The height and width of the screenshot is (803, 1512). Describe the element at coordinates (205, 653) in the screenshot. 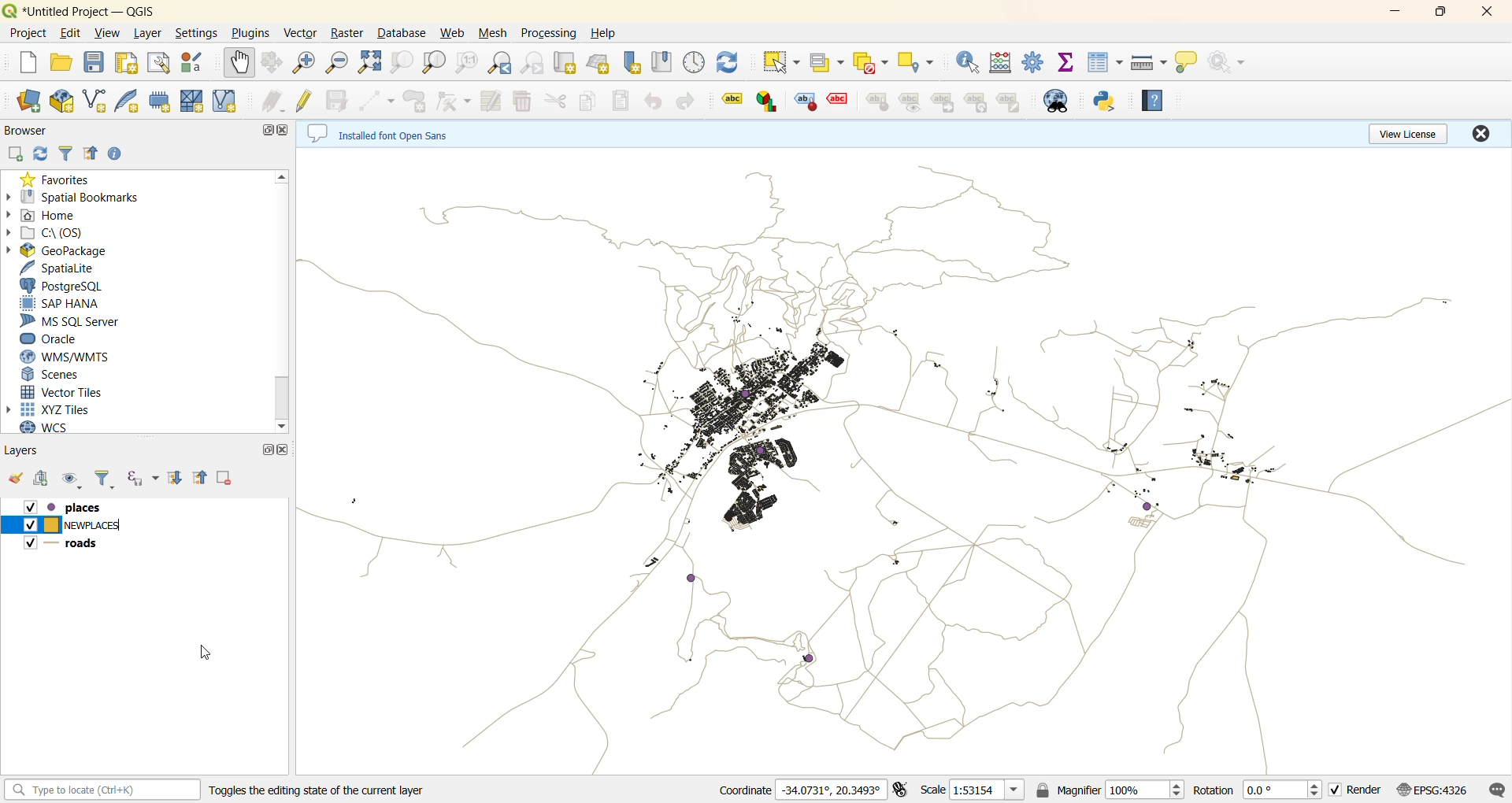

I see `pointer` at that location.